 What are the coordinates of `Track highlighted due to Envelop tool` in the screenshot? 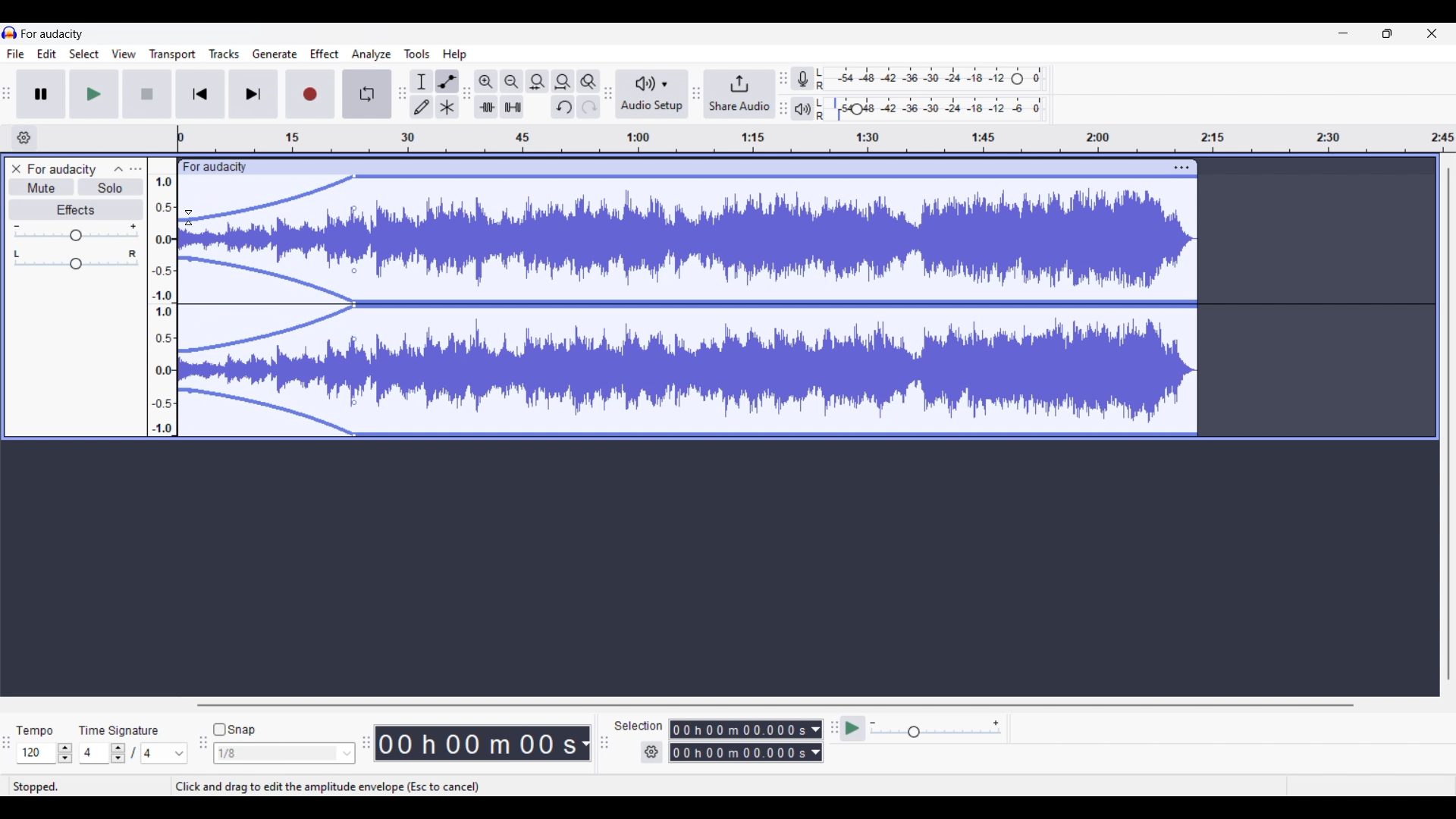 It's located at (688, 306).